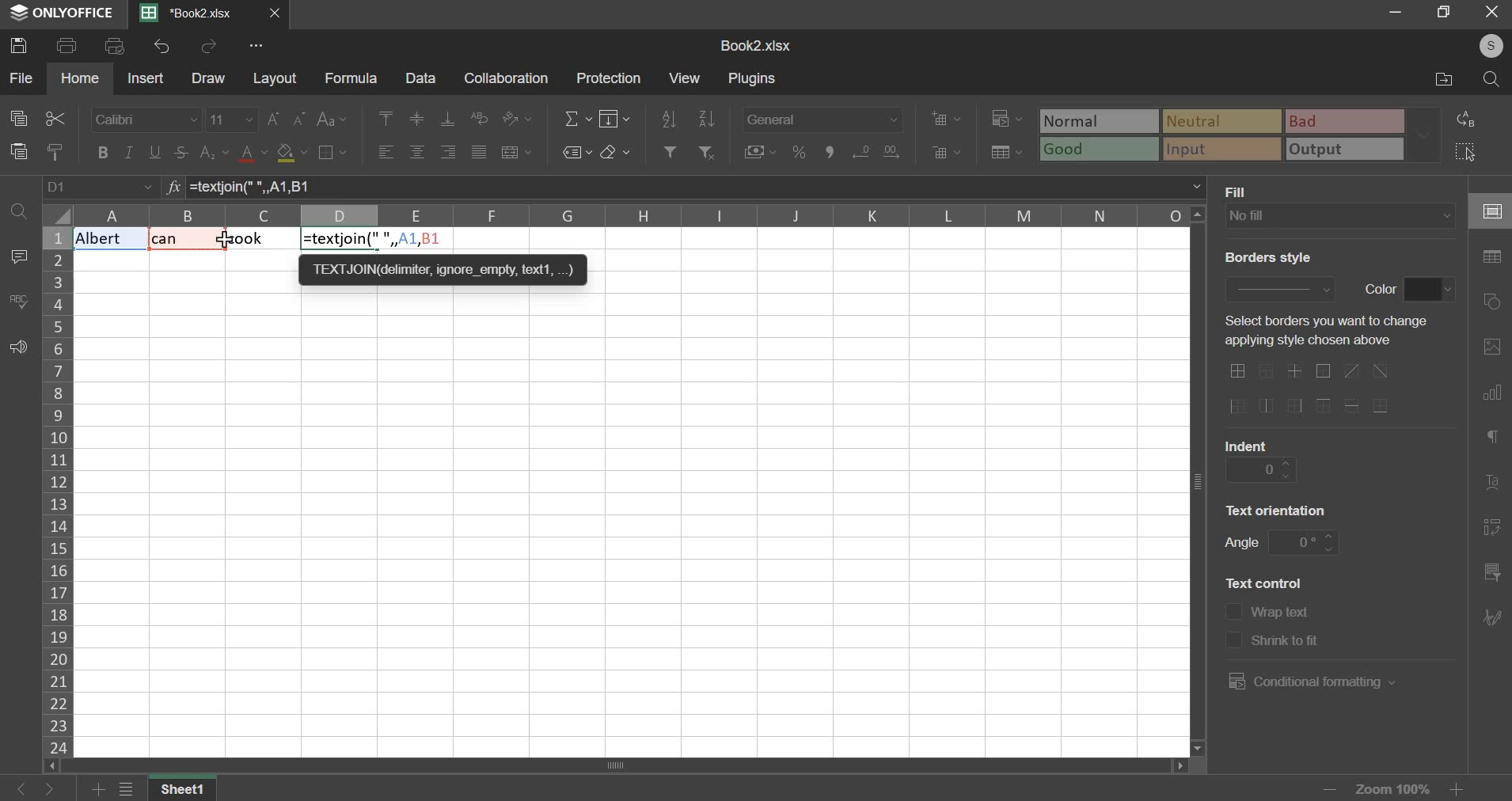 Image resolution: width=1512 pixels, height=801 pixels. Describe the element at coordinates (275, 79) in the screenshot. I see `layout` at that location.